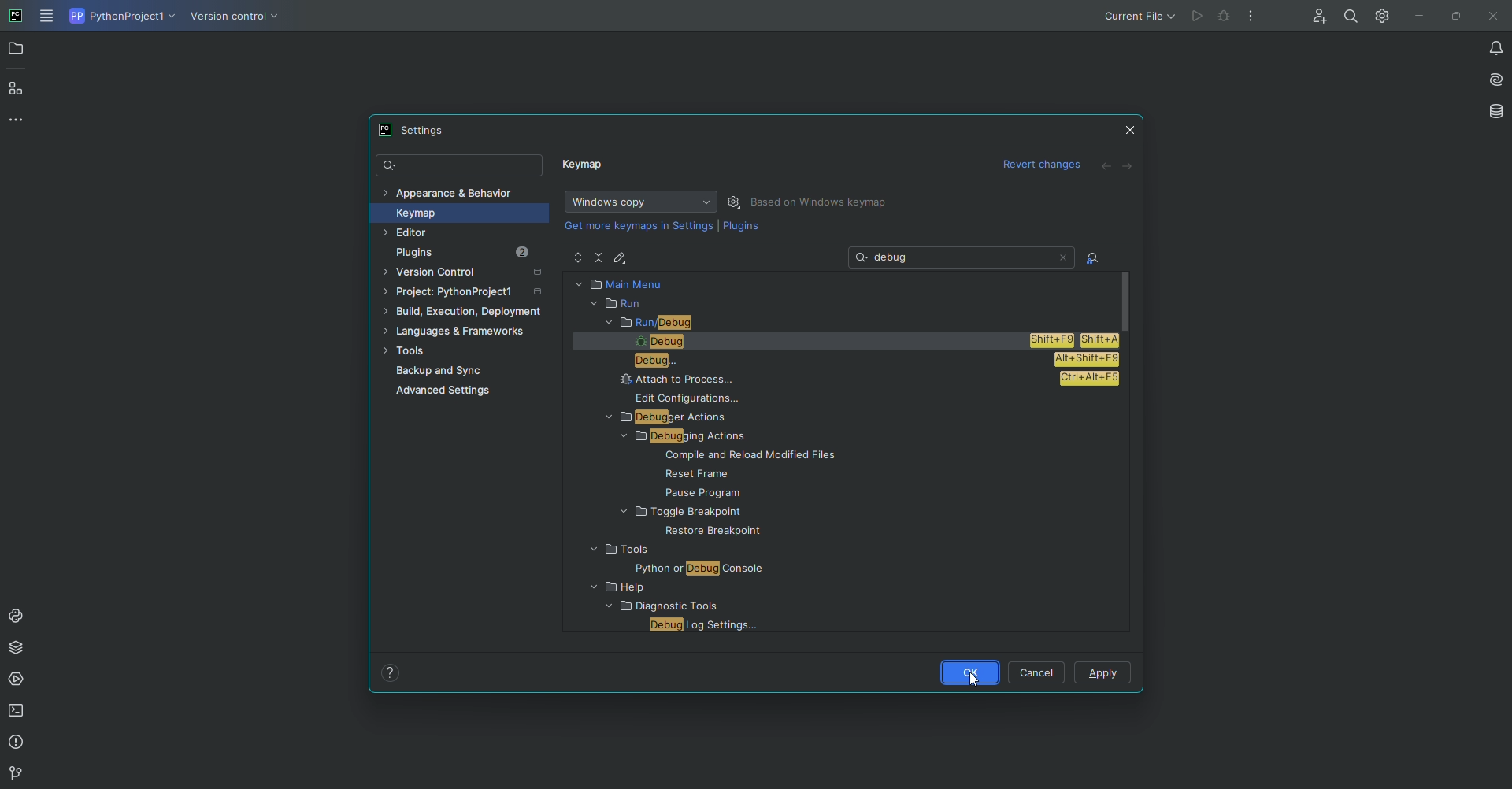 This screenshot has width=1512, height=789. I want to click on MAIN MENU, so click(843, 283).